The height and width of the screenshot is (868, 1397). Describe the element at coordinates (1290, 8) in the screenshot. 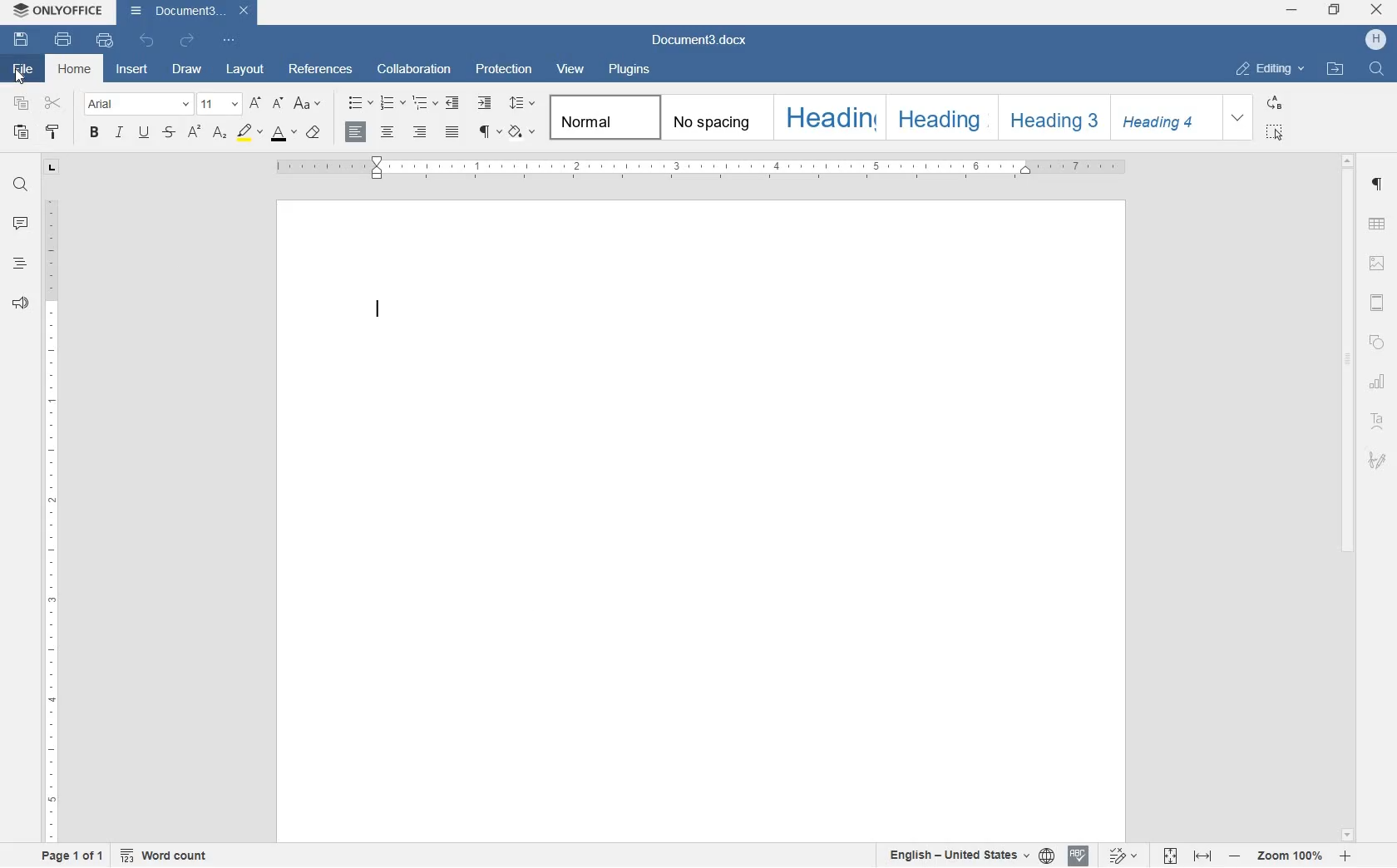

I see `minimize` at that location.